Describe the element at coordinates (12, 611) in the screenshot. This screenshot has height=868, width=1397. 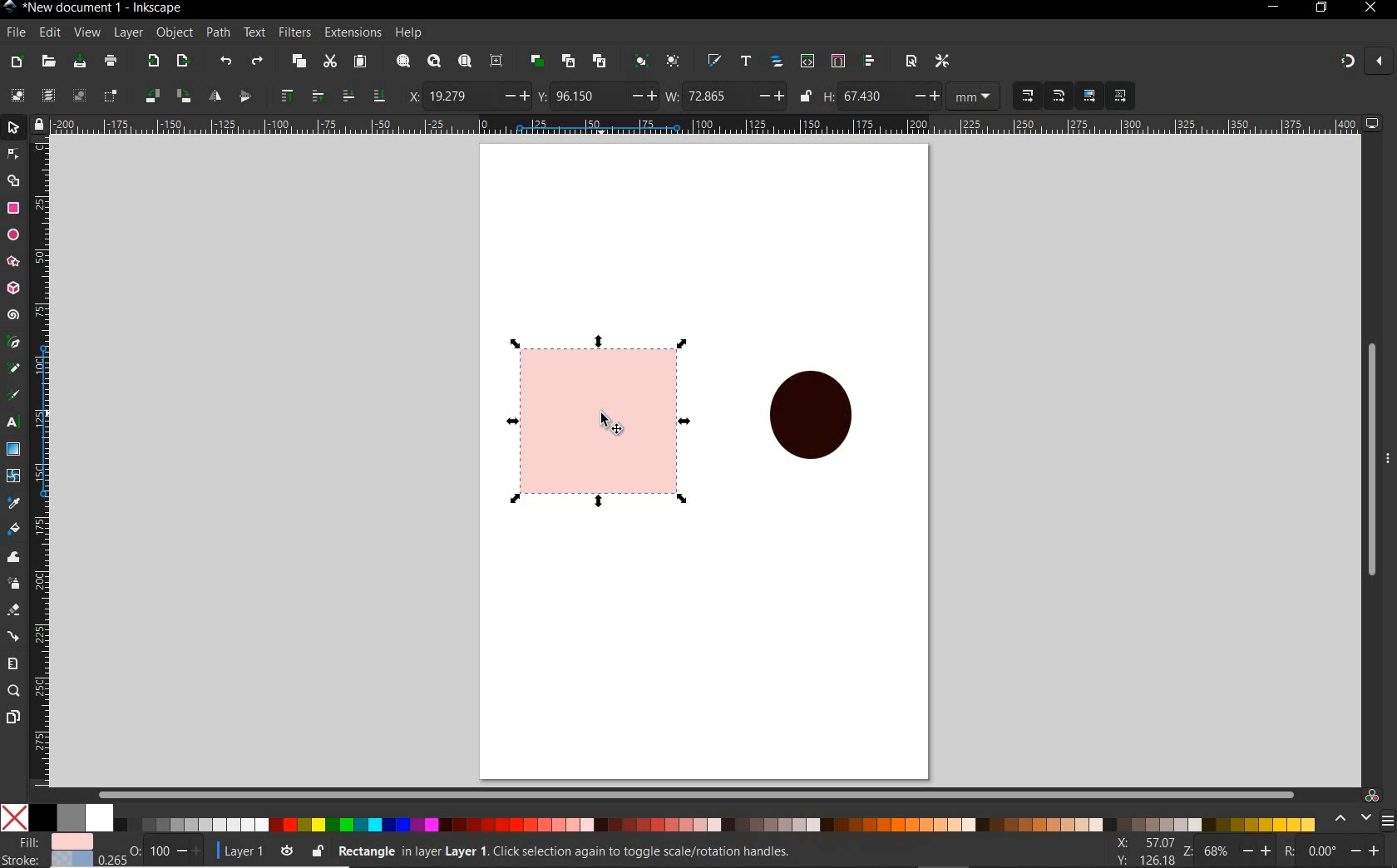
I see `eraser tool` at that location.